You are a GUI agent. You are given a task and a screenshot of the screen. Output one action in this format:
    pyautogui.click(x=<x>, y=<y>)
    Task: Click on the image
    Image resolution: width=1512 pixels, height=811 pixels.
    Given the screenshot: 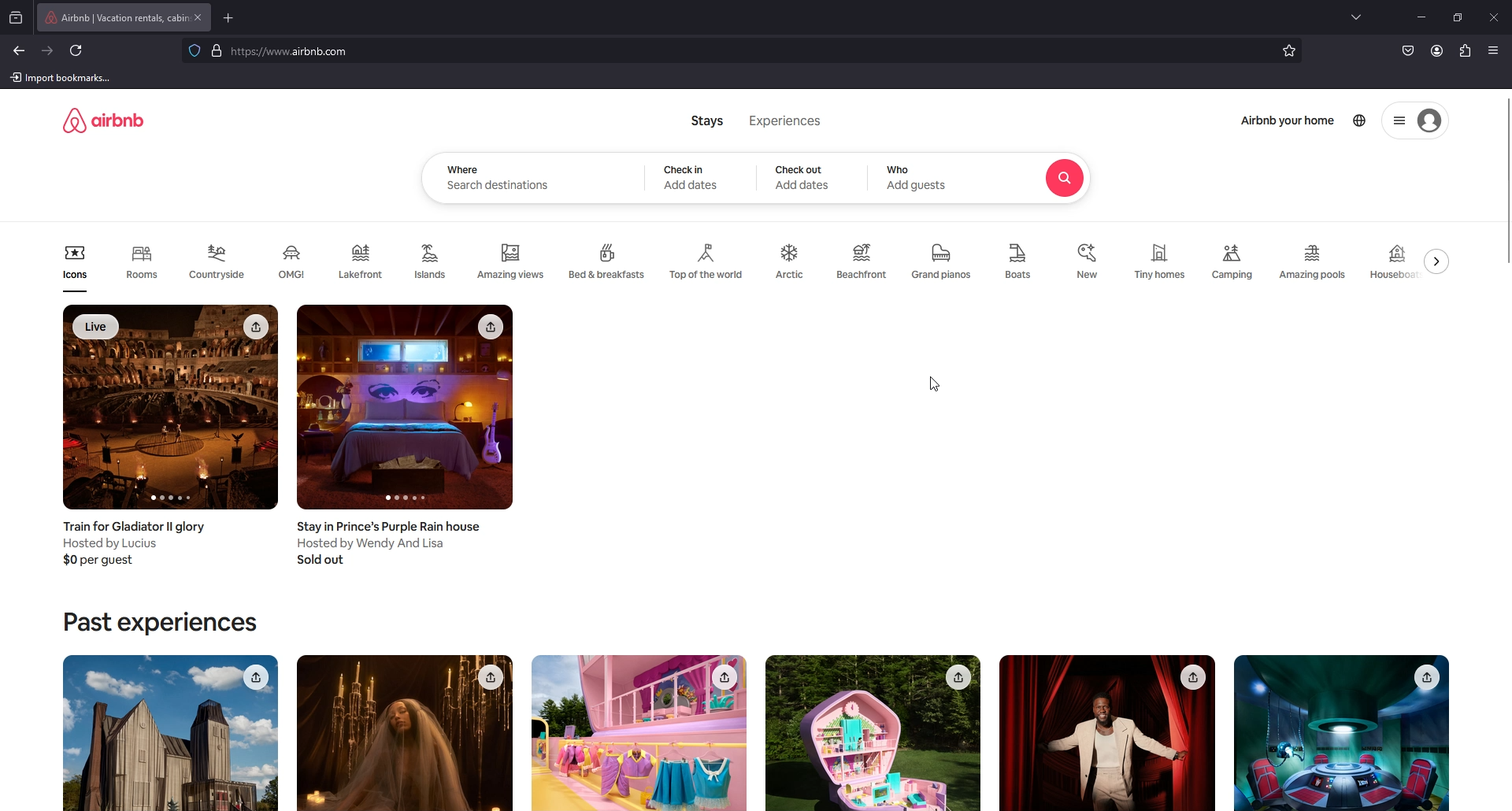 What is the action you would take?
    pyautogui.click(x=406, y=733)
    